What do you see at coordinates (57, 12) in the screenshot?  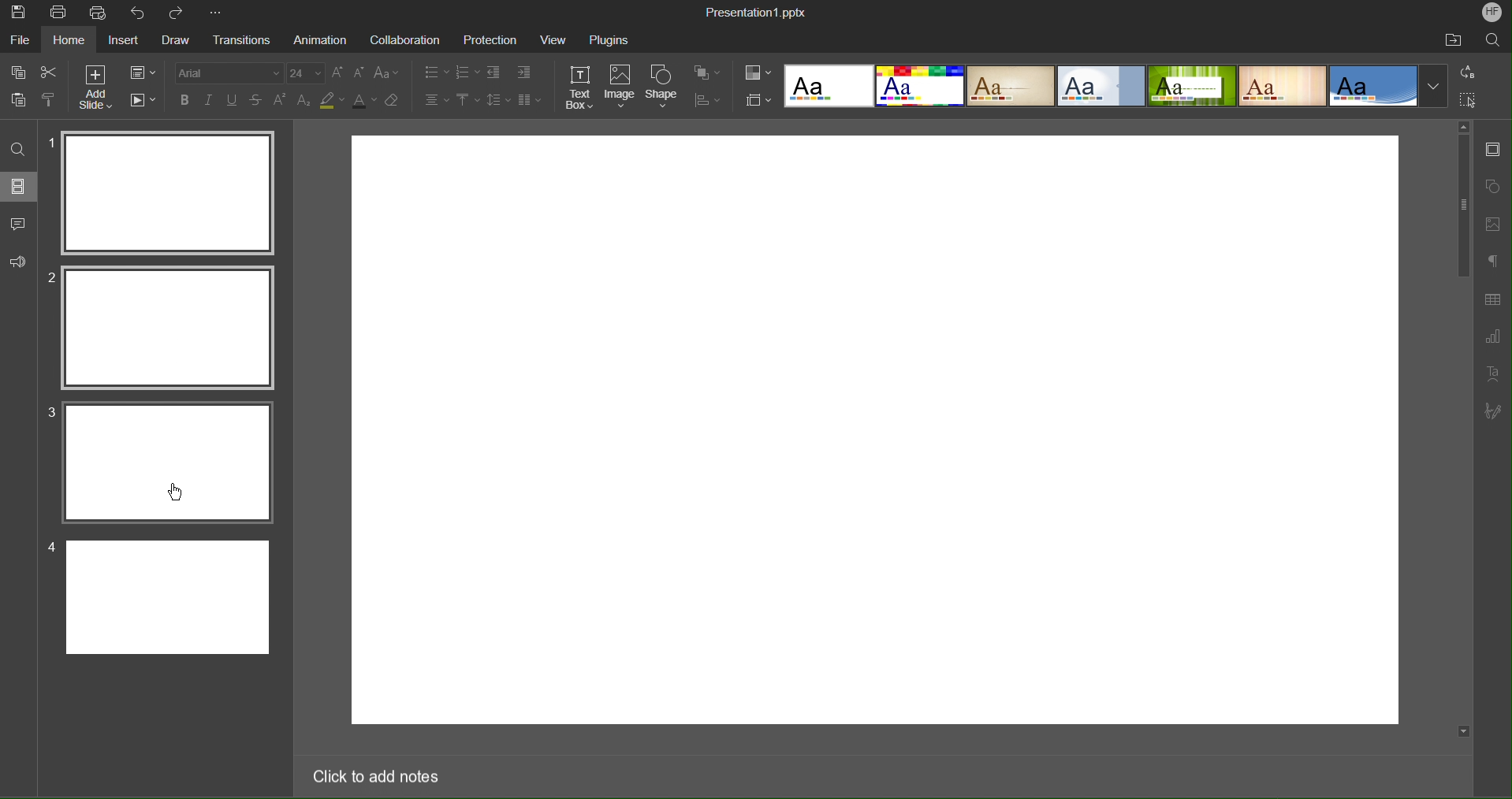 I see `Print` at bounding box center [57, 12].